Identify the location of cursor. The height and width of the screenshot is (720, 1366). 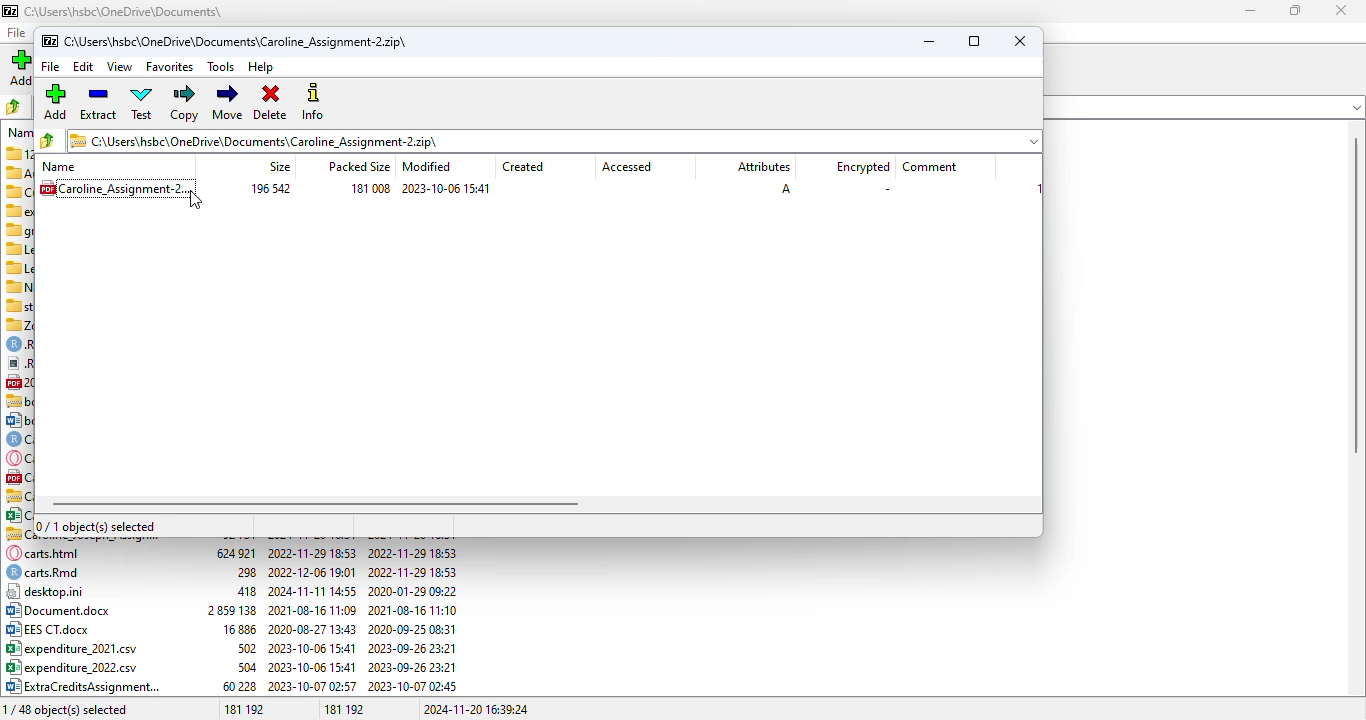
(195, 200).